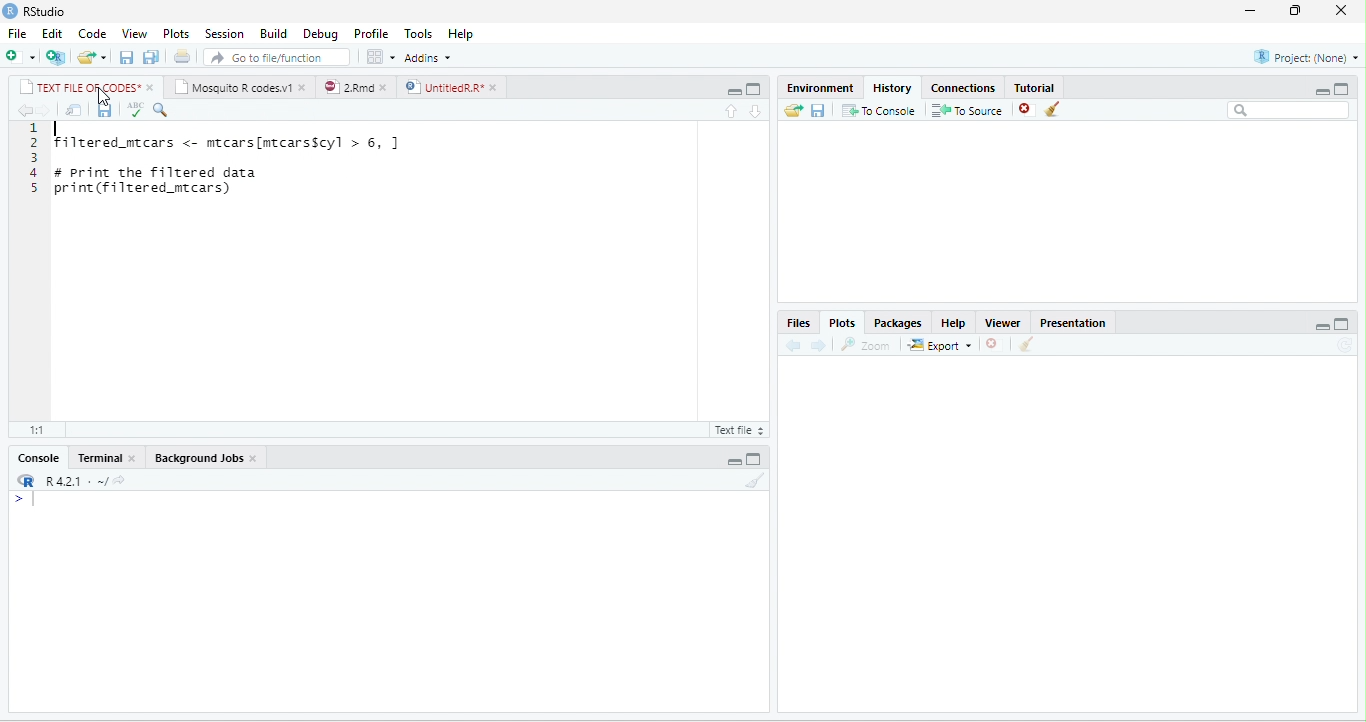  What do you see at coordinates (225, 33) in the screenshot?
I see `Session` at bounding box center [225, 33].